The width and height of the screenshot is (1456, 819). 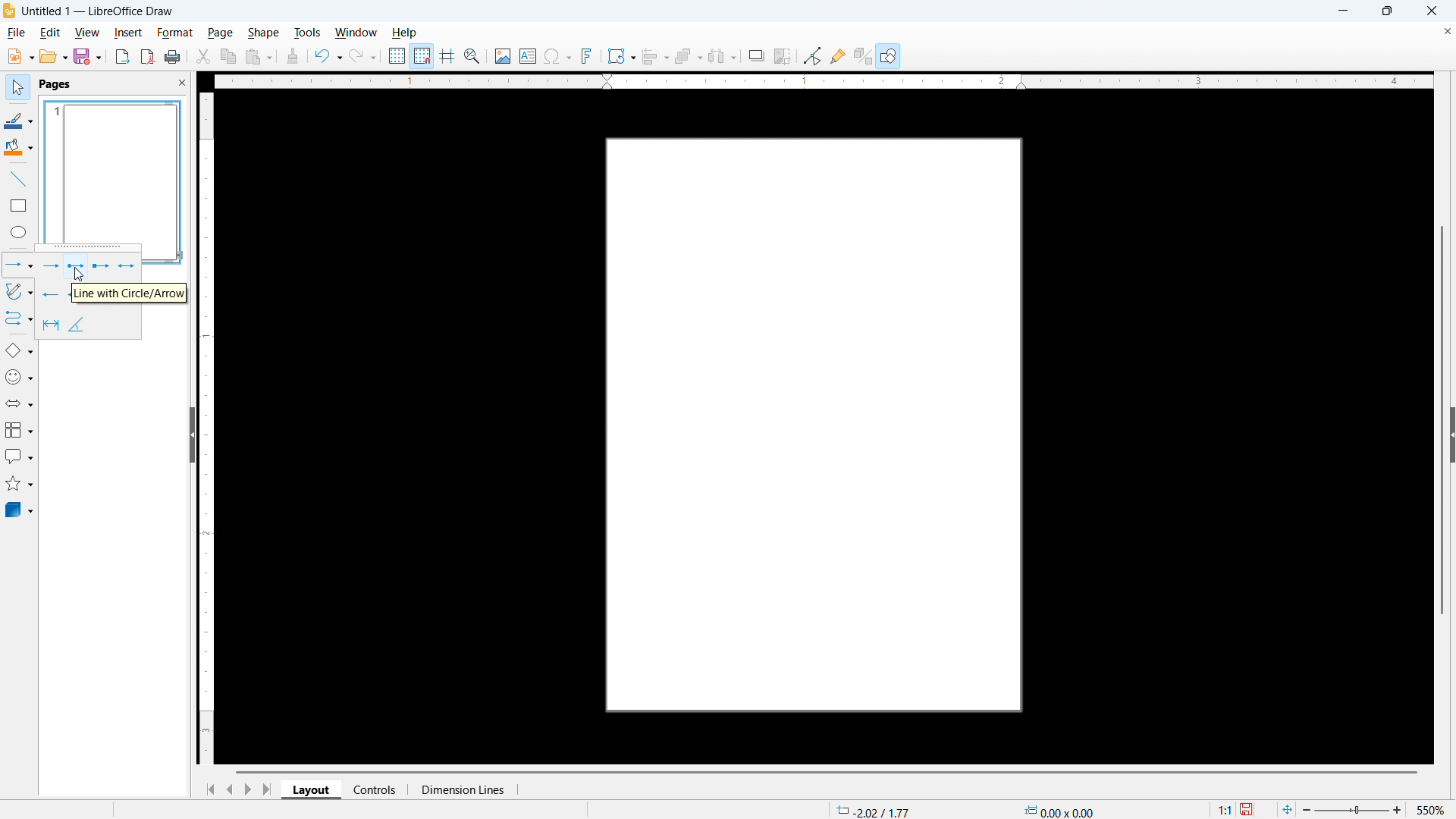 I want to click on Undo , so click(x=329, y=57).